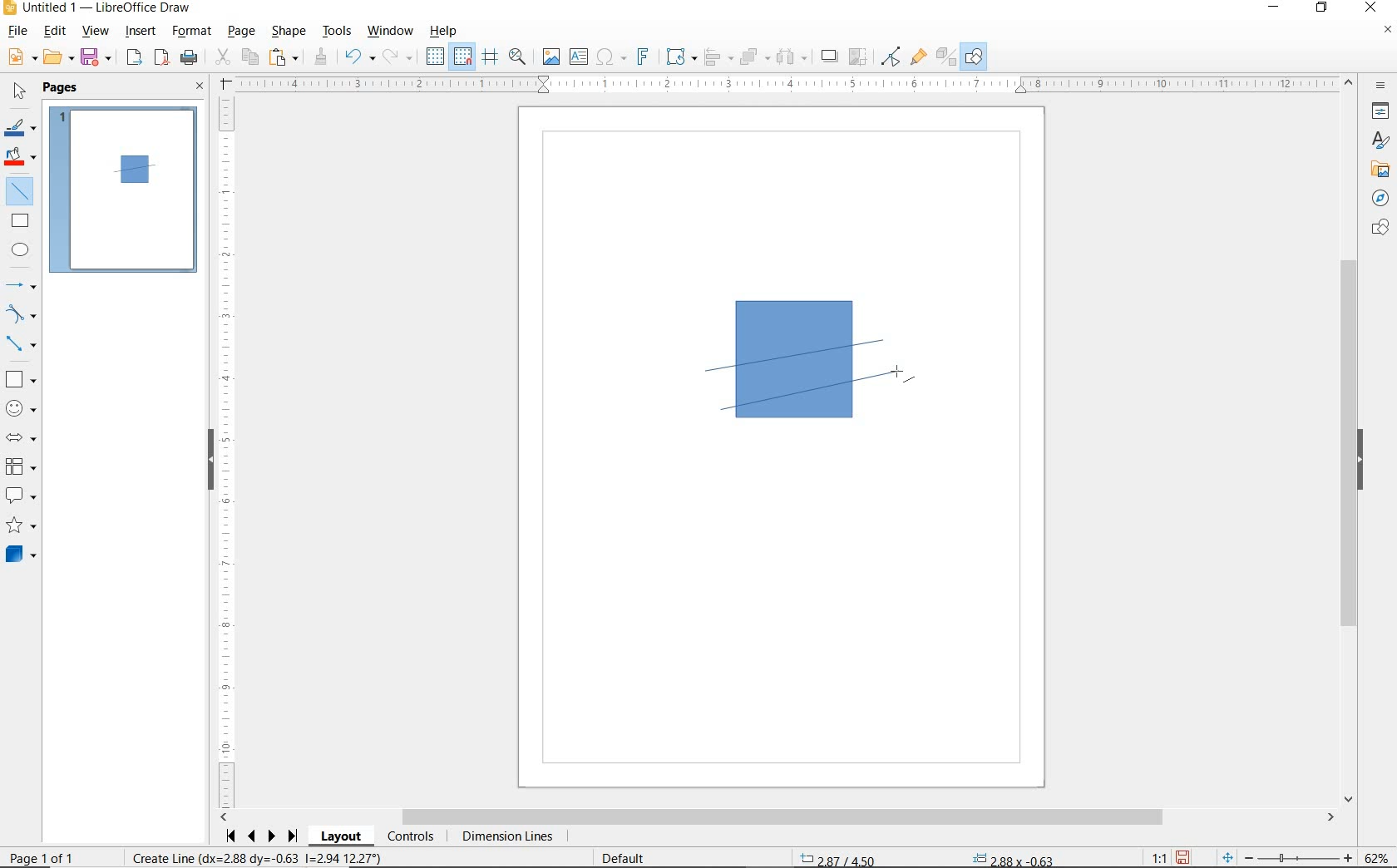 This screenshot has width=1397, height=868. I want to click on DEFAULT, so click(629, 859).